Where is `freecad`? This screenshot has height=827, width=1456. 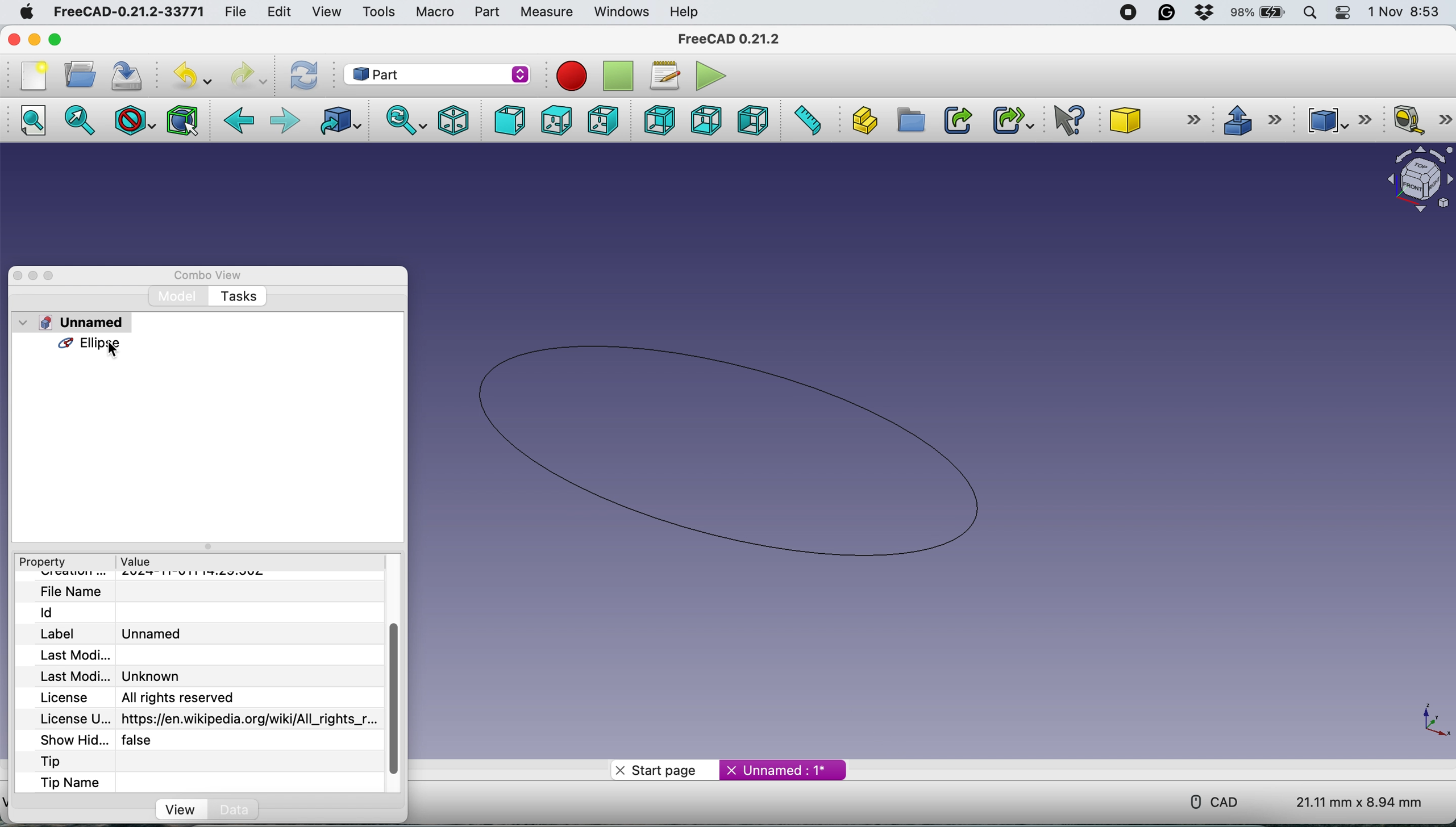
freecad is located at coordinates (127, 12).